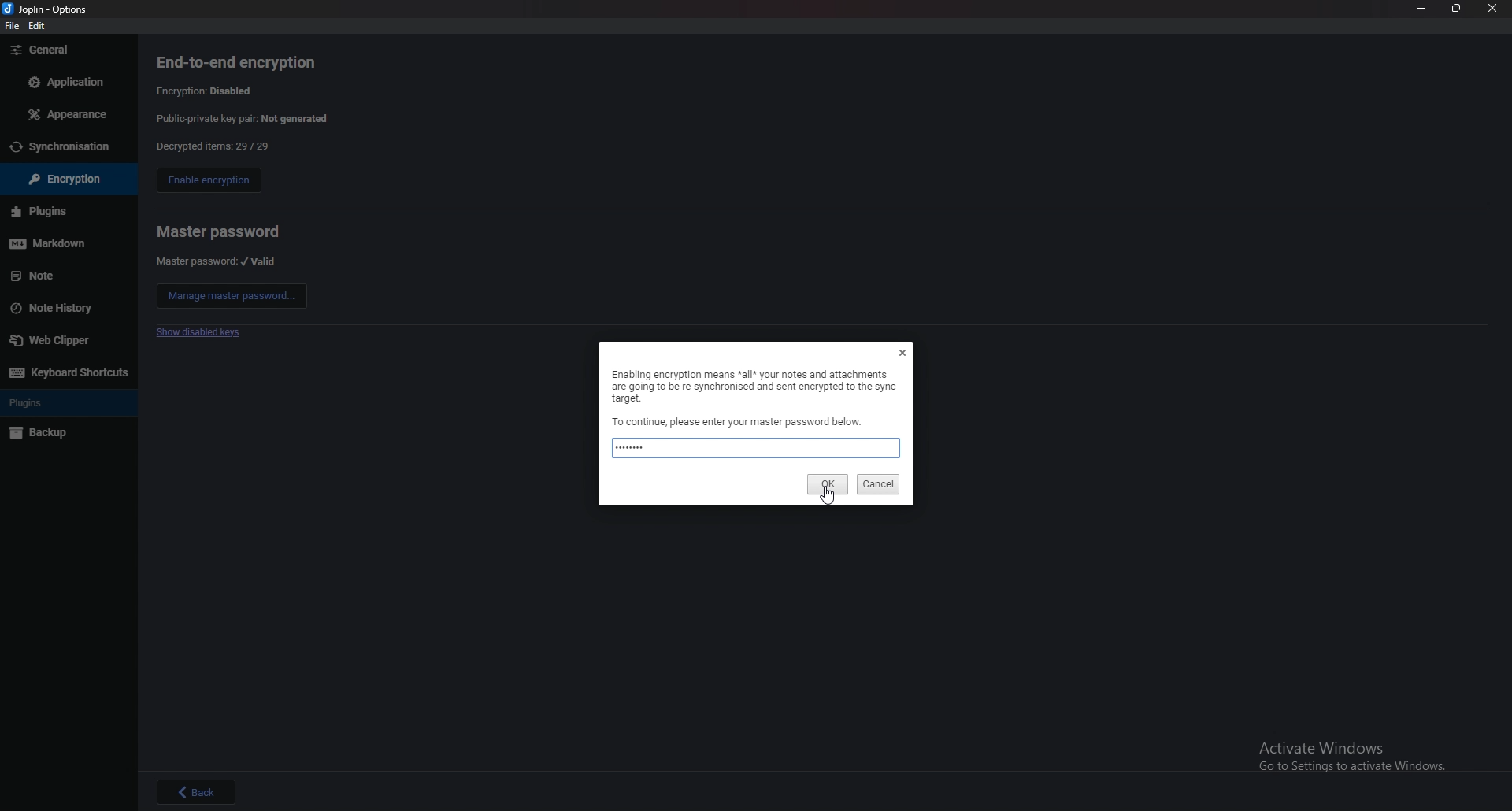 Image resolution: width=1512 pixels, height=811 pixels. Describe the element at coordinates (239, 61) in the screenshot. I see `end to end encryption` at that location.